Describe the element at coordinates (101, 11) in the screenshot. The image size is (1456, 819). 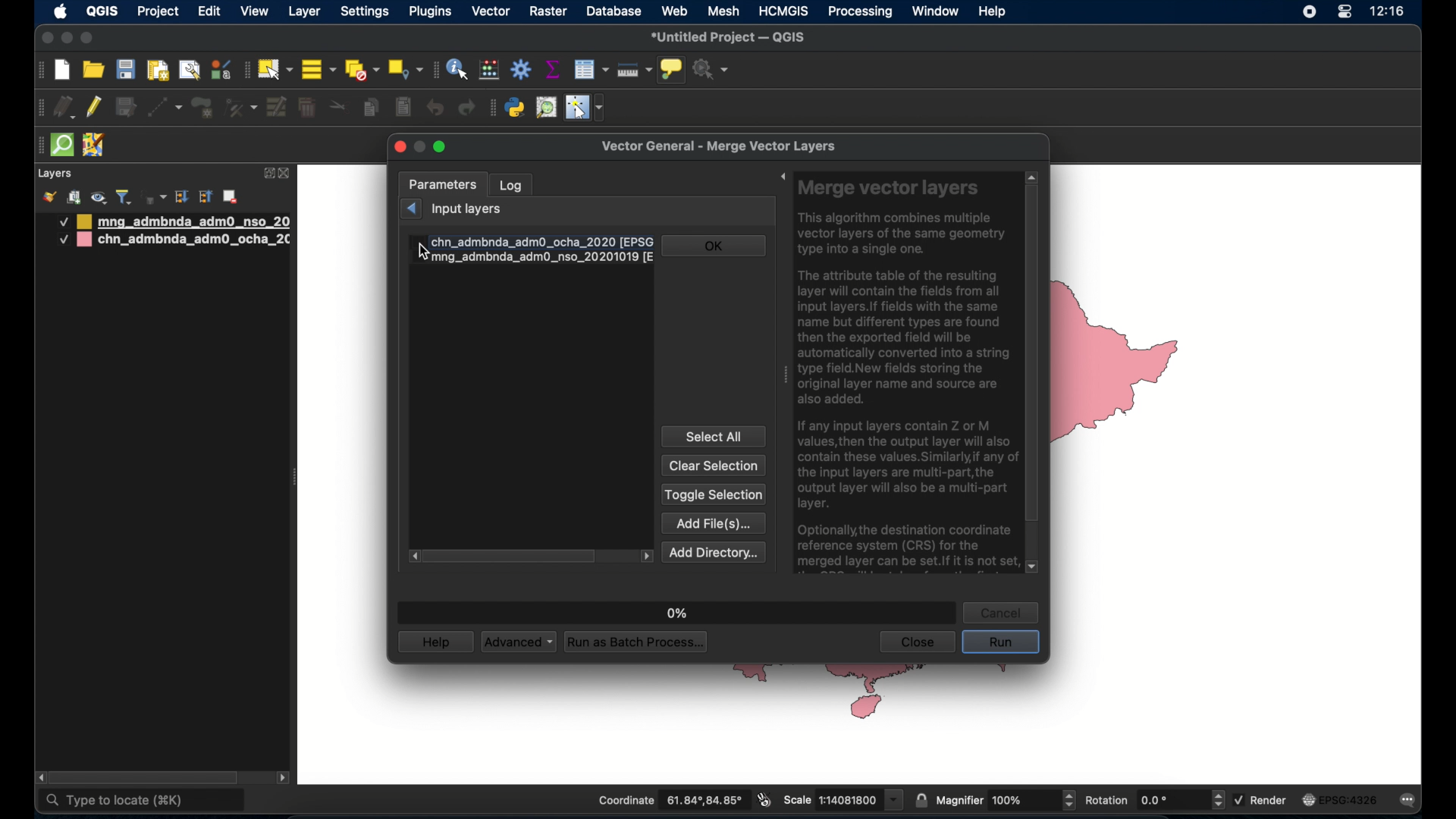
I see `QGIS` at that location.